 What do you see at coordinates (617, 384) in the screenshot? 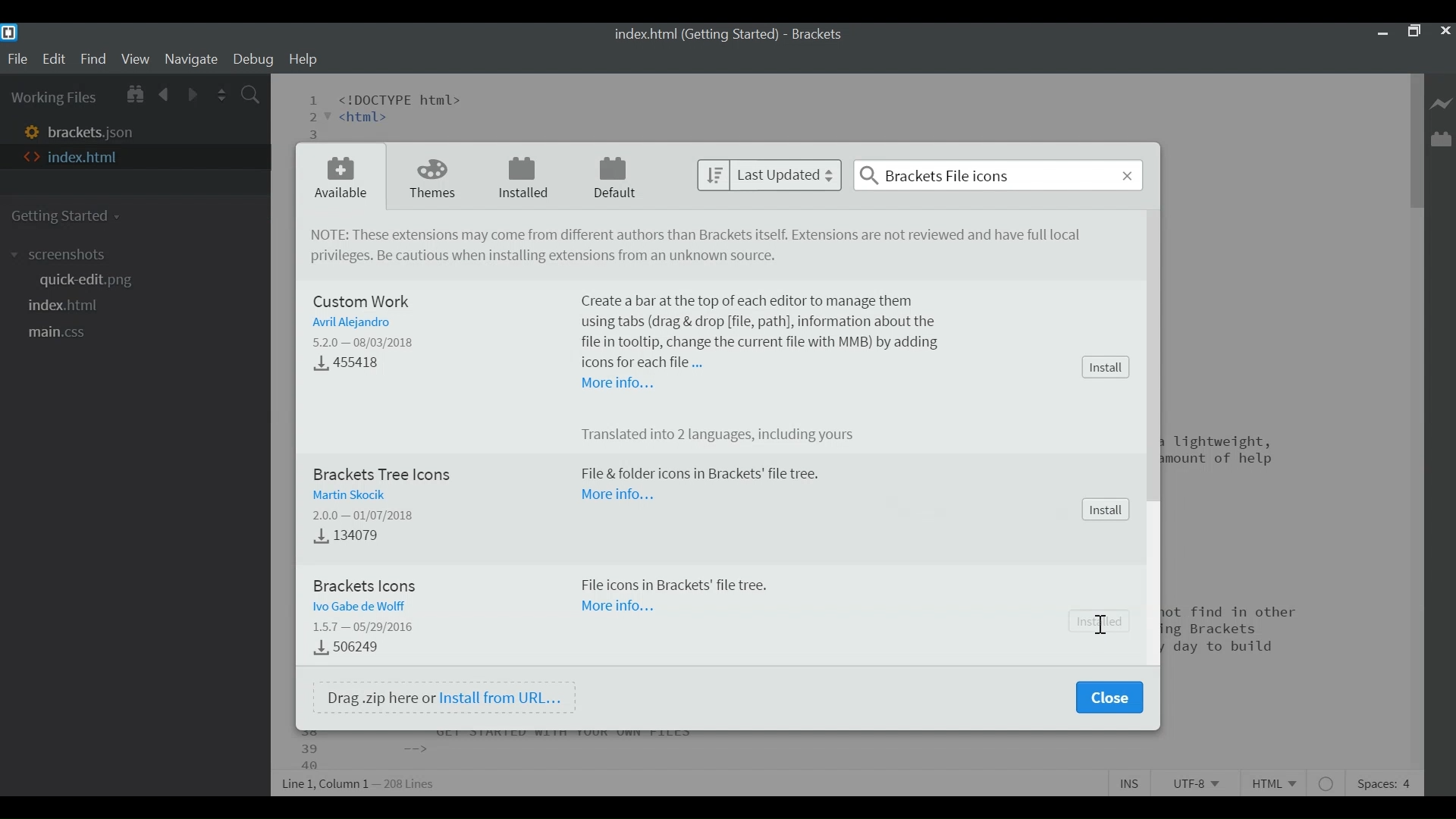
I see `More Information` at bounding box center [617, 384].